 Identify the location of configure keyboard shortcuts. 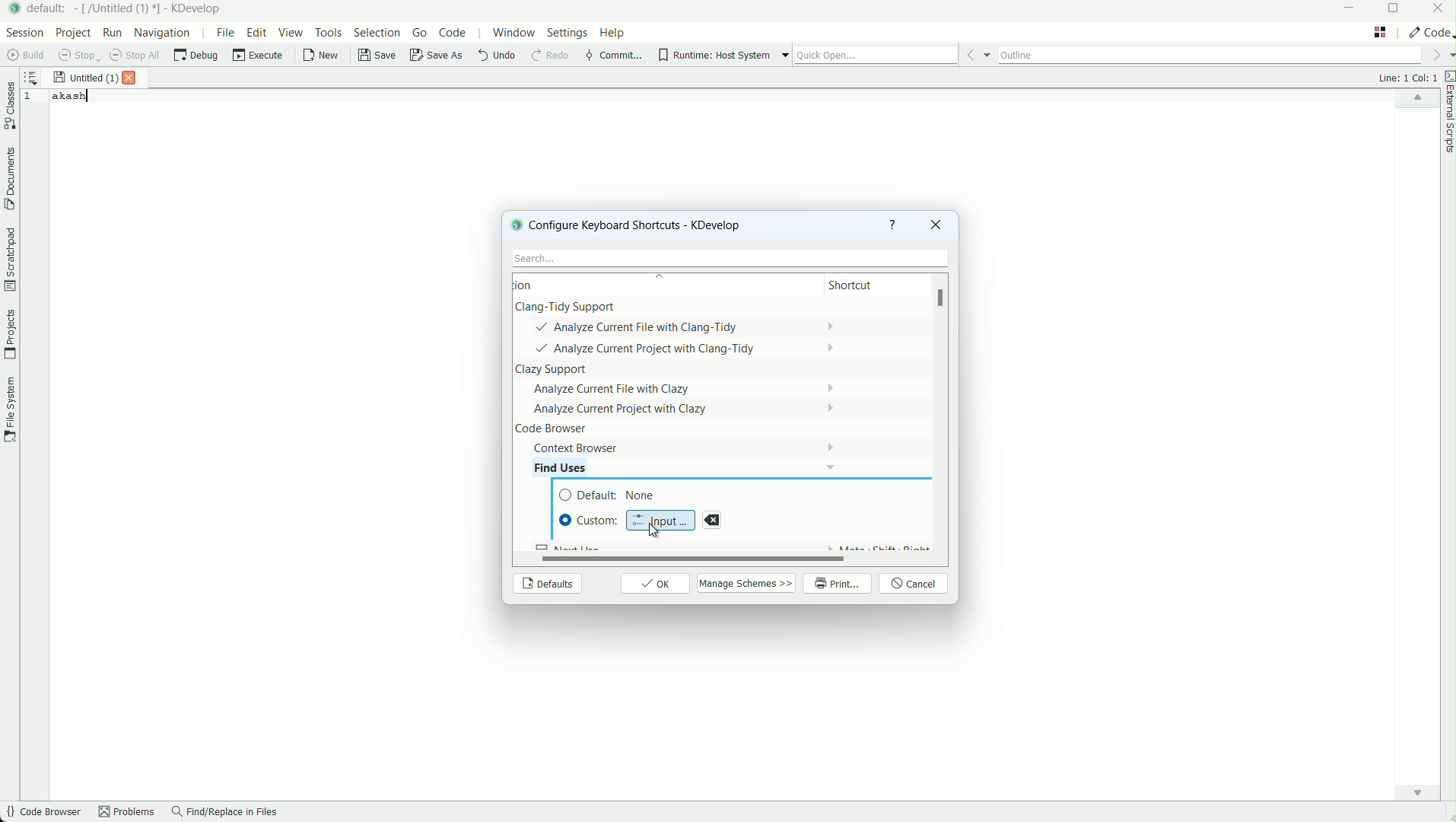
(647, 225).